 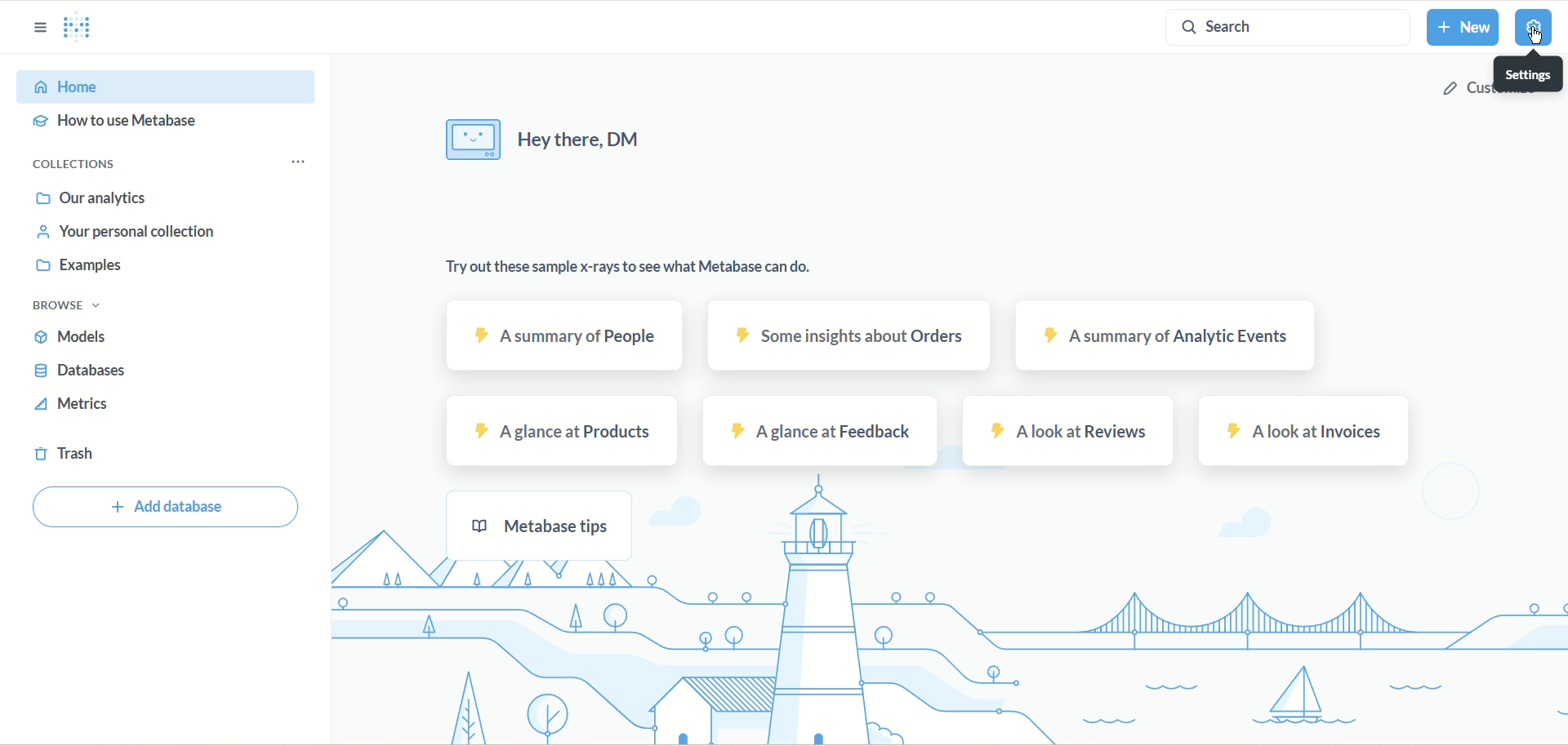 What do you see at coordinates (1285, 30) in the screenshot?
I see `Search` at bounding box center [1285, 30].